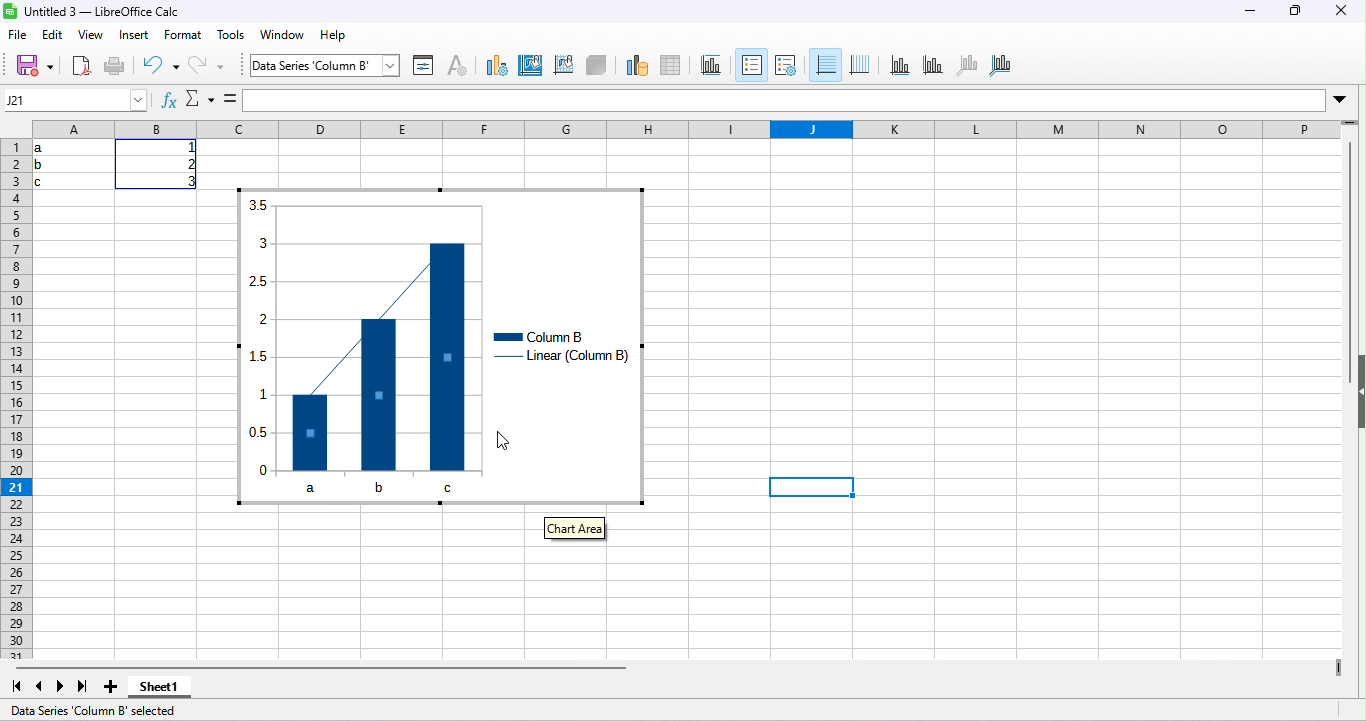 Image resolution: width=1366 pixels, height=722 pixels. What do you see at coordinates (809, 487) in the screenshot?
I see `selected cell` at bounding box center [809, 487].